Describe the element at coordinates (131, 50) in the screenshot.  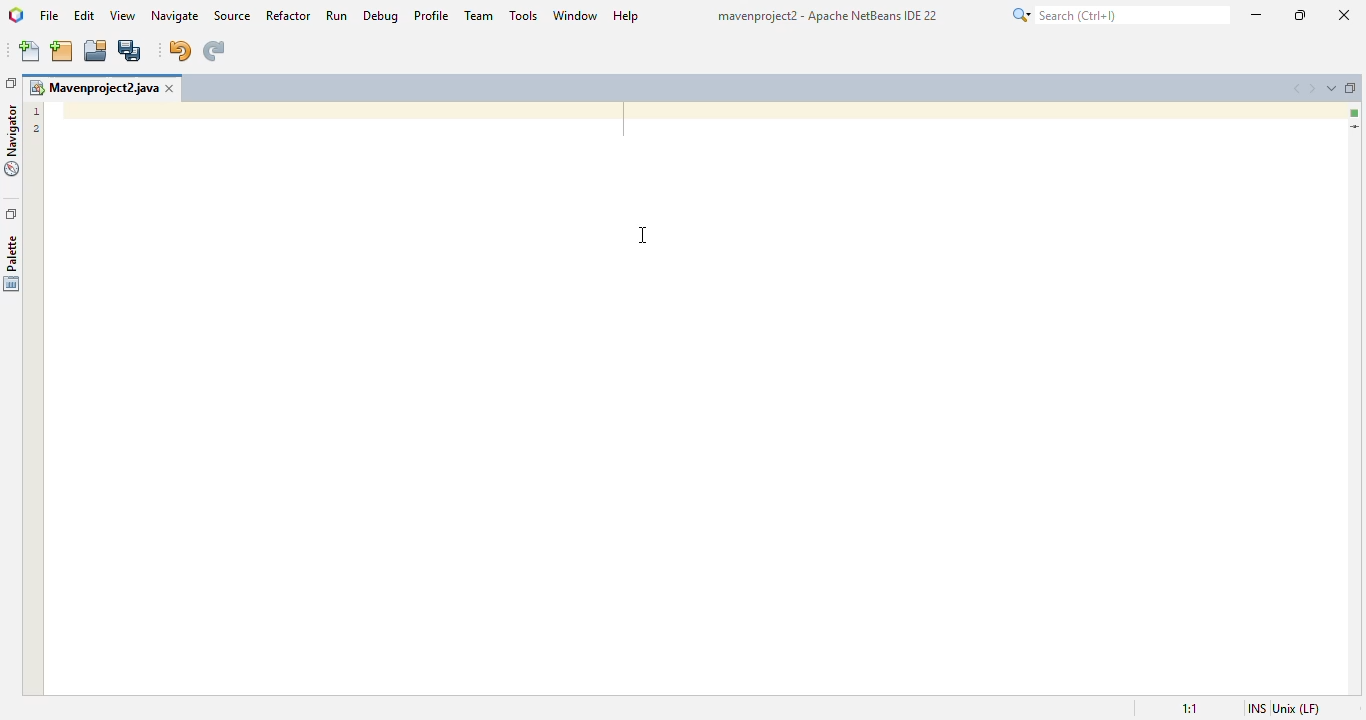
I see `save all` at that location.